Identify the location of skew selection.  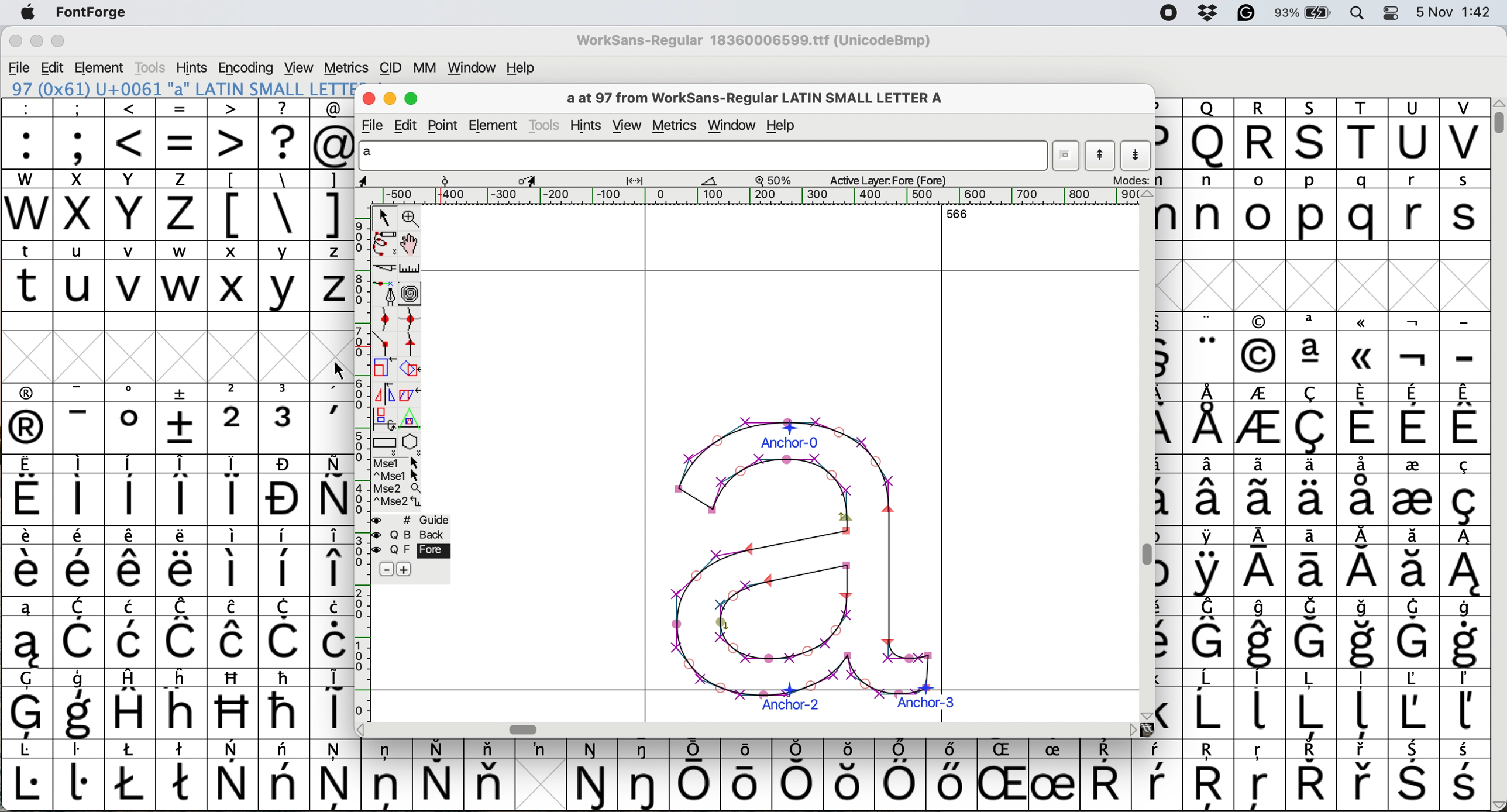
(411, 393).